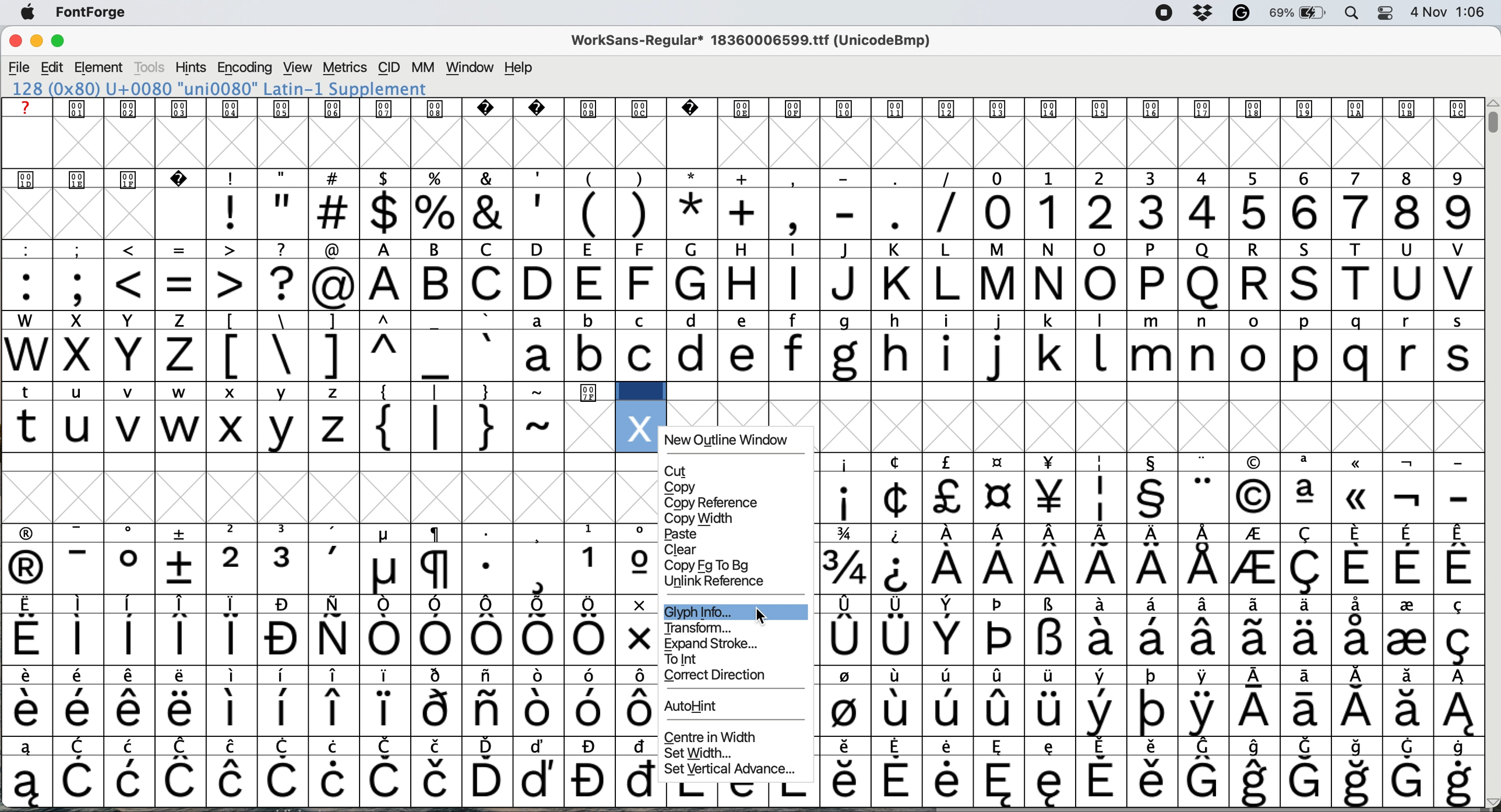 The height and width of the screenshot is (812, 1501). What do you see at coordinates (326, 667) in the screenshot?
I see `glyph grid` at bounding box center [326, 667].